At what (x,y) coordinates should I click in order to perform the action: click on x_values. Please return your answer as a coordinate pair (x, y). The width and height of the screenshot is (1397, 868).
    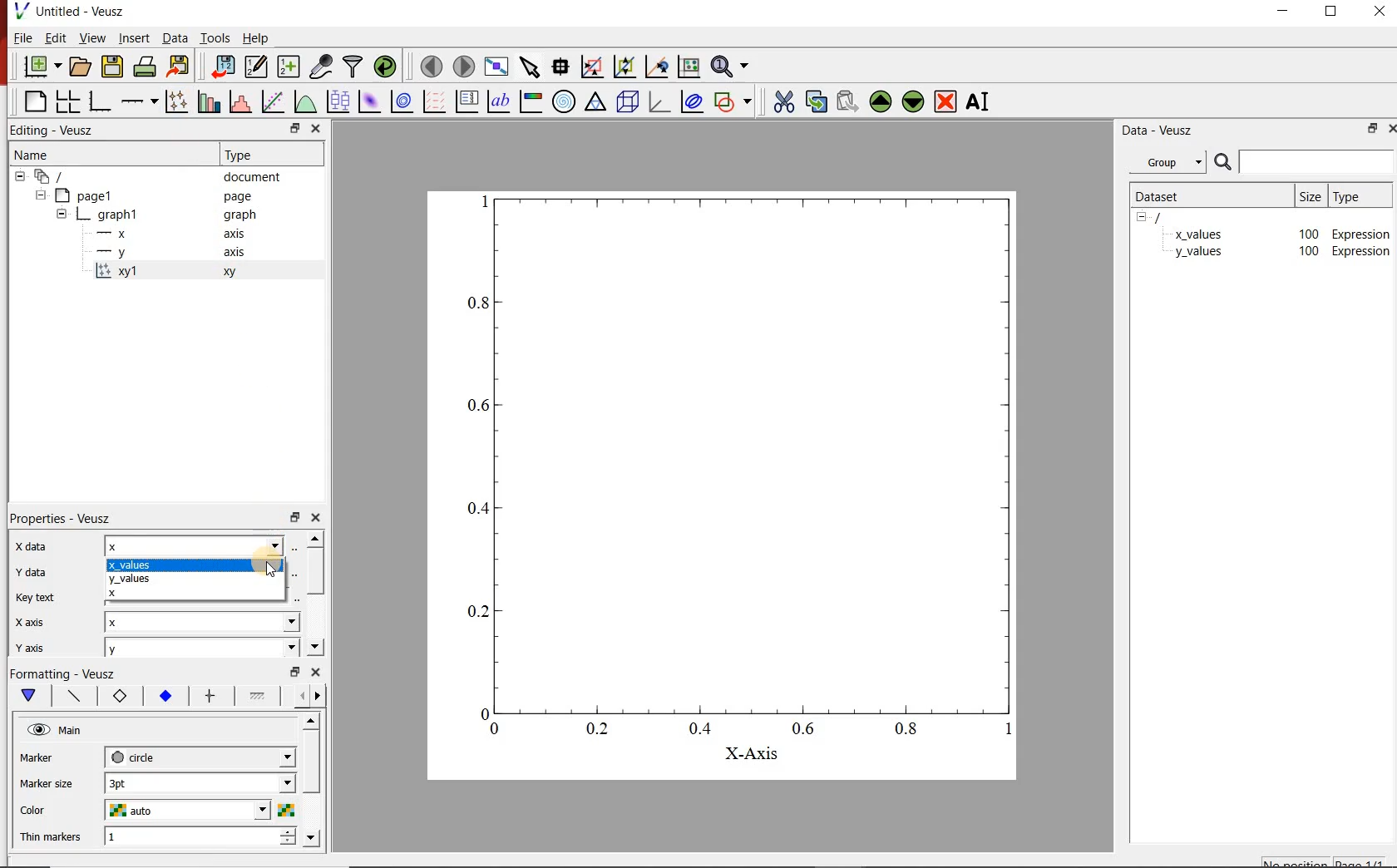
    Looking at the image, I should click on (191, 565).